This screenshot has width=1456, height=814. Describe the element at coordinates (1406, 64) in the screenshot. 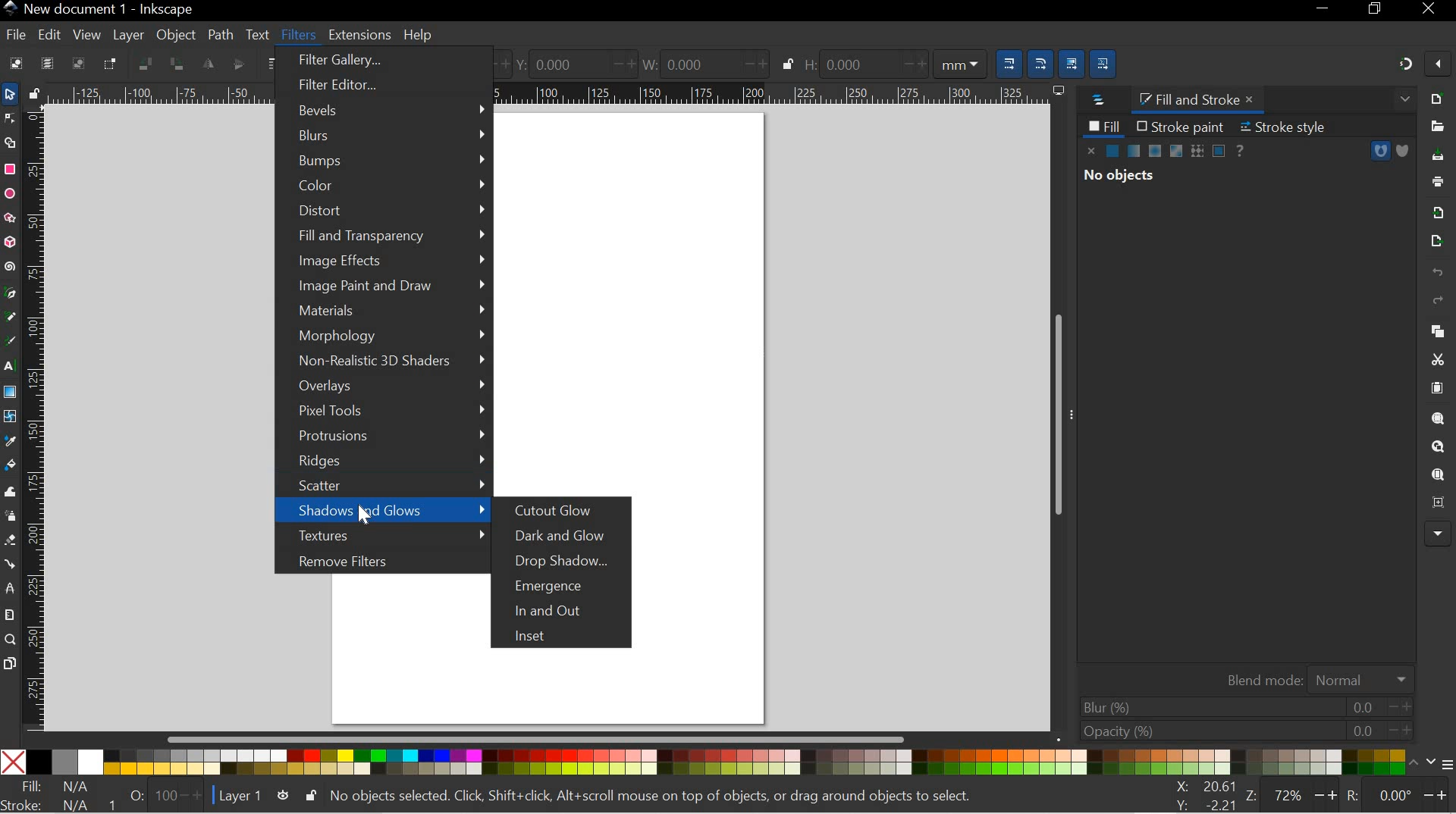

I see `SNAPPING` at that location.